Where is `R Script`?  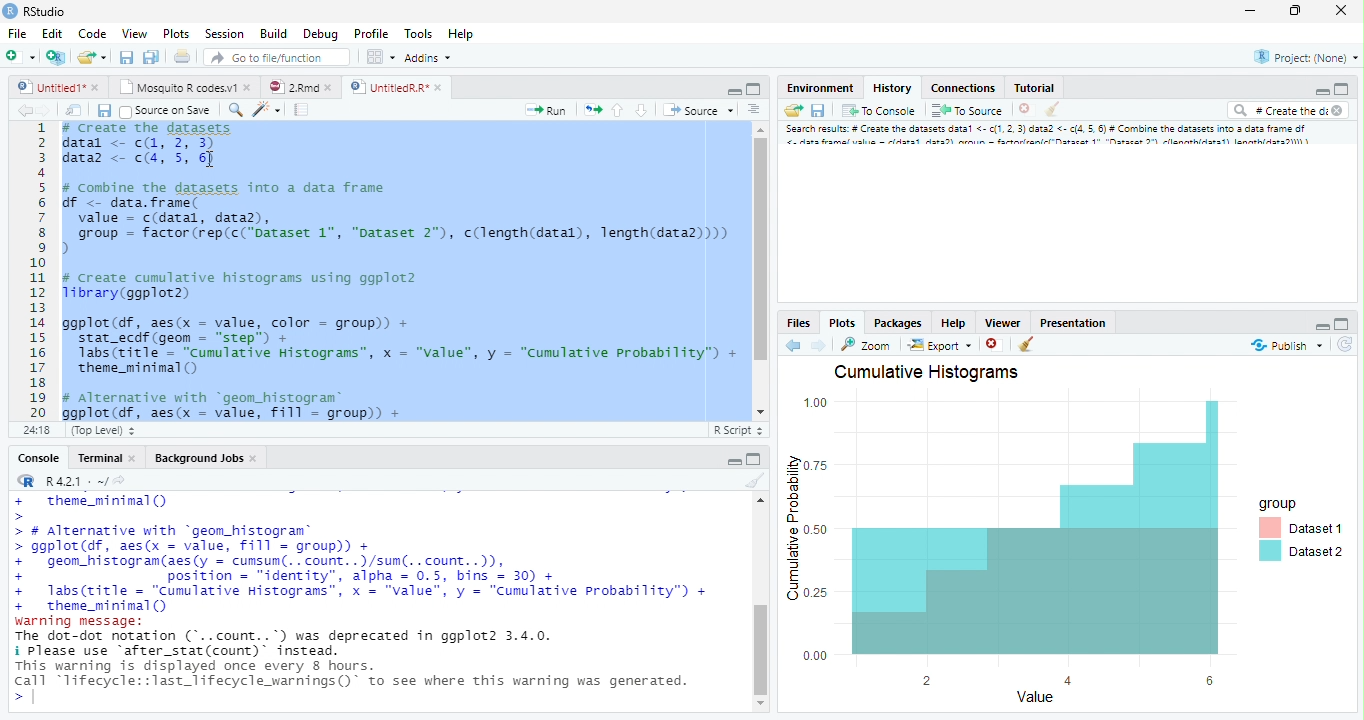 R Script is located at coordinates (738, 430).